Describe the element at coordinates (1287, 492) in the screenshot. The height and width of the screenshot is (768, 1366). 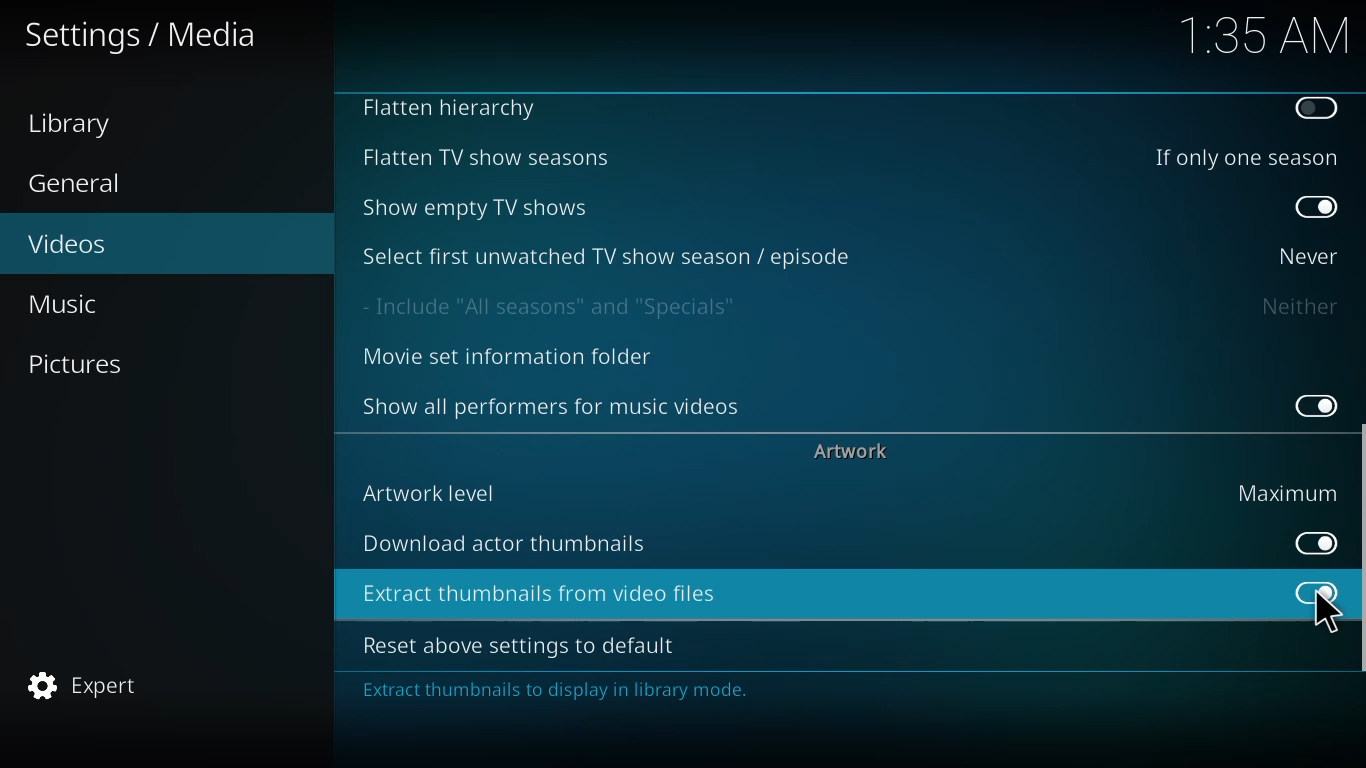
I see `maximum` at that location.